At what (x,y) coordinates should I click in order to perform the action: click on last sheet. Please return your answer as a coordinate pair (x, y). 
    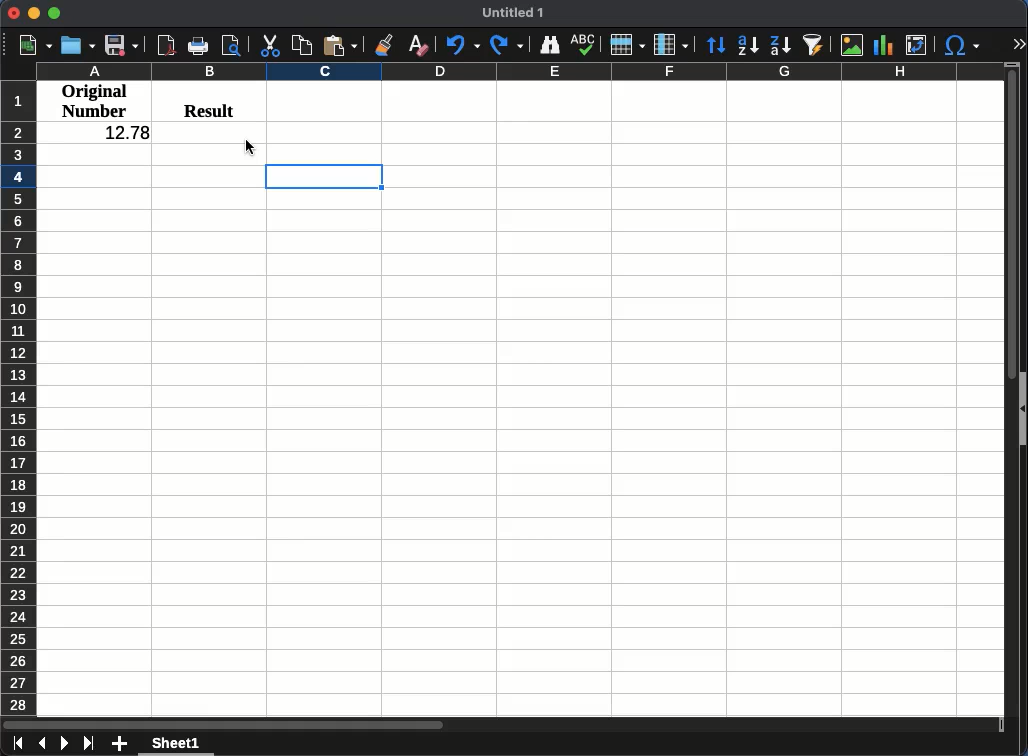
    Looking at the image, I should click on (89, 743).